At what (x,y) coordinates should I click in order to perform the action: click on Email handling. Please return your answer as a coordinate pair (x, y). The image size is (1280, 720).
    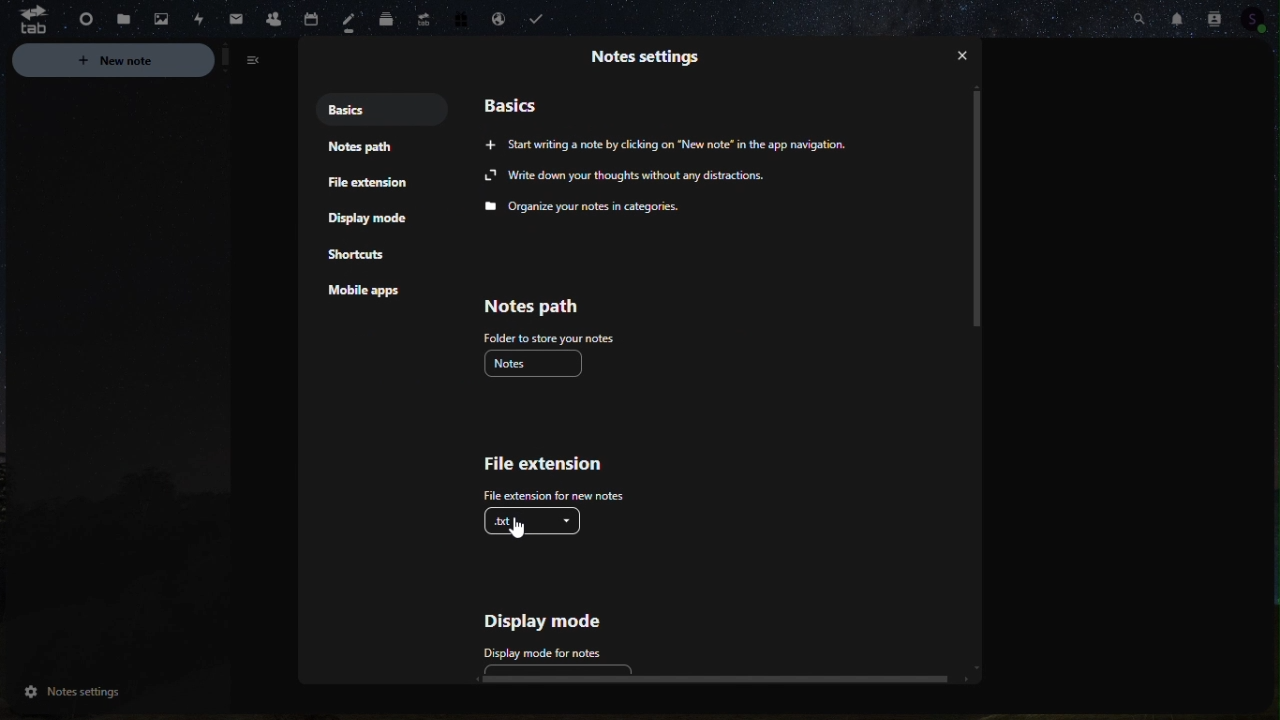
    Looking at the image, I should click on (497, 21).